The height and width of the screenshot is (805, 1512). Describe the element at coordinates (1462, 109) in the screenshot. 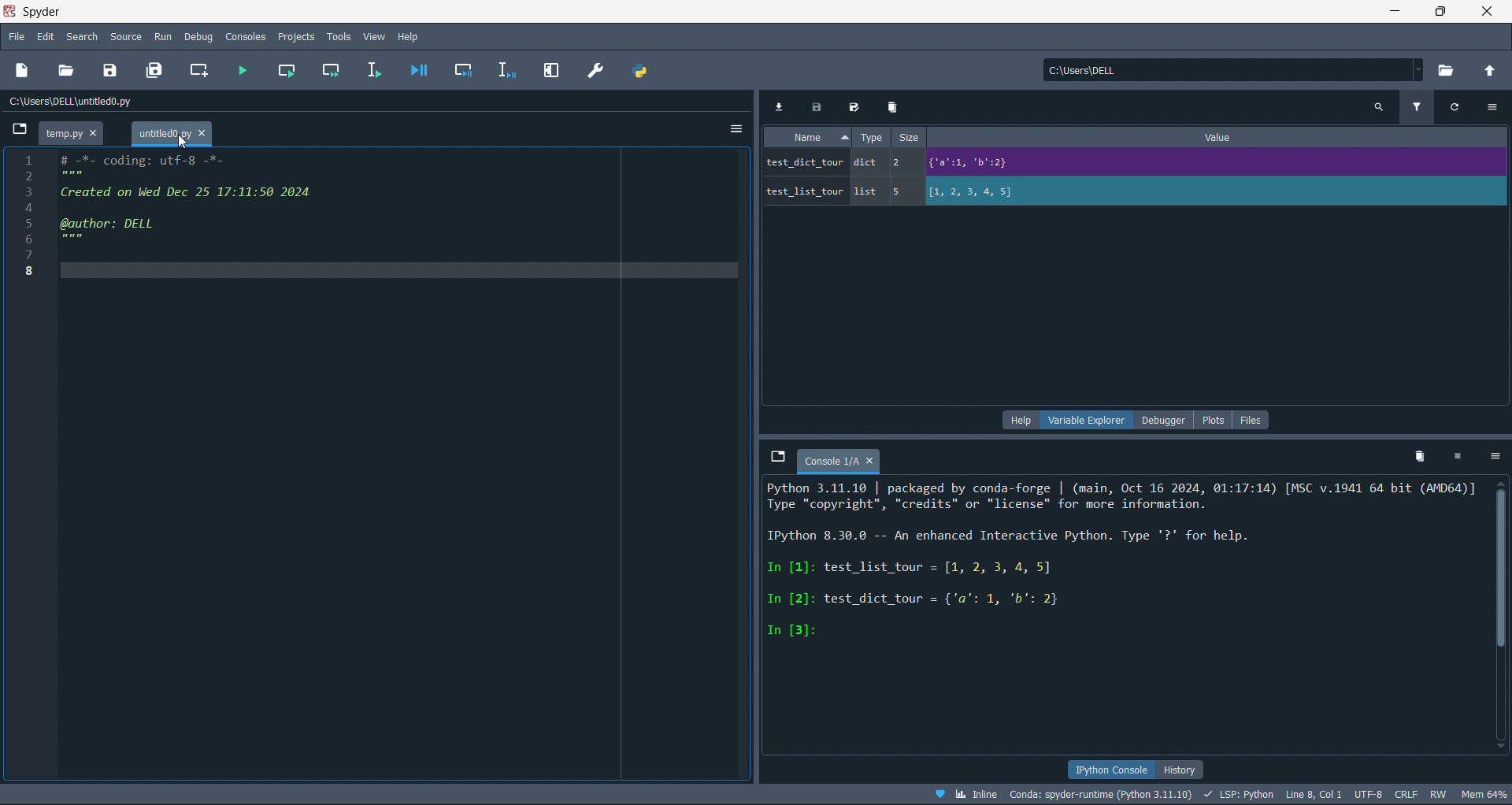

I see `refresh` at that location.